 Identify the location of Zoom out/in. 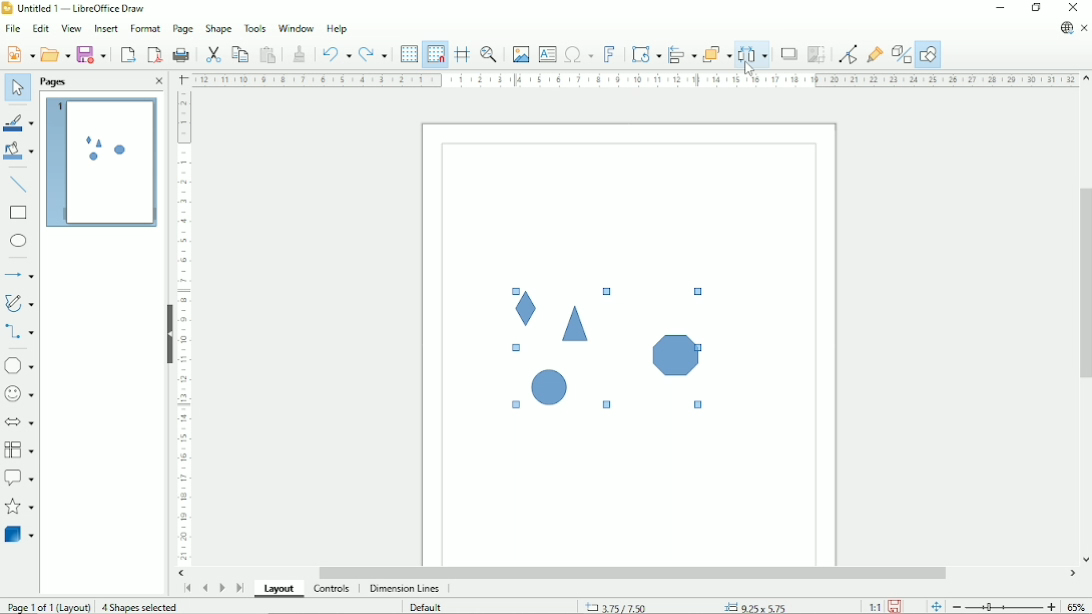
(1003, 607).